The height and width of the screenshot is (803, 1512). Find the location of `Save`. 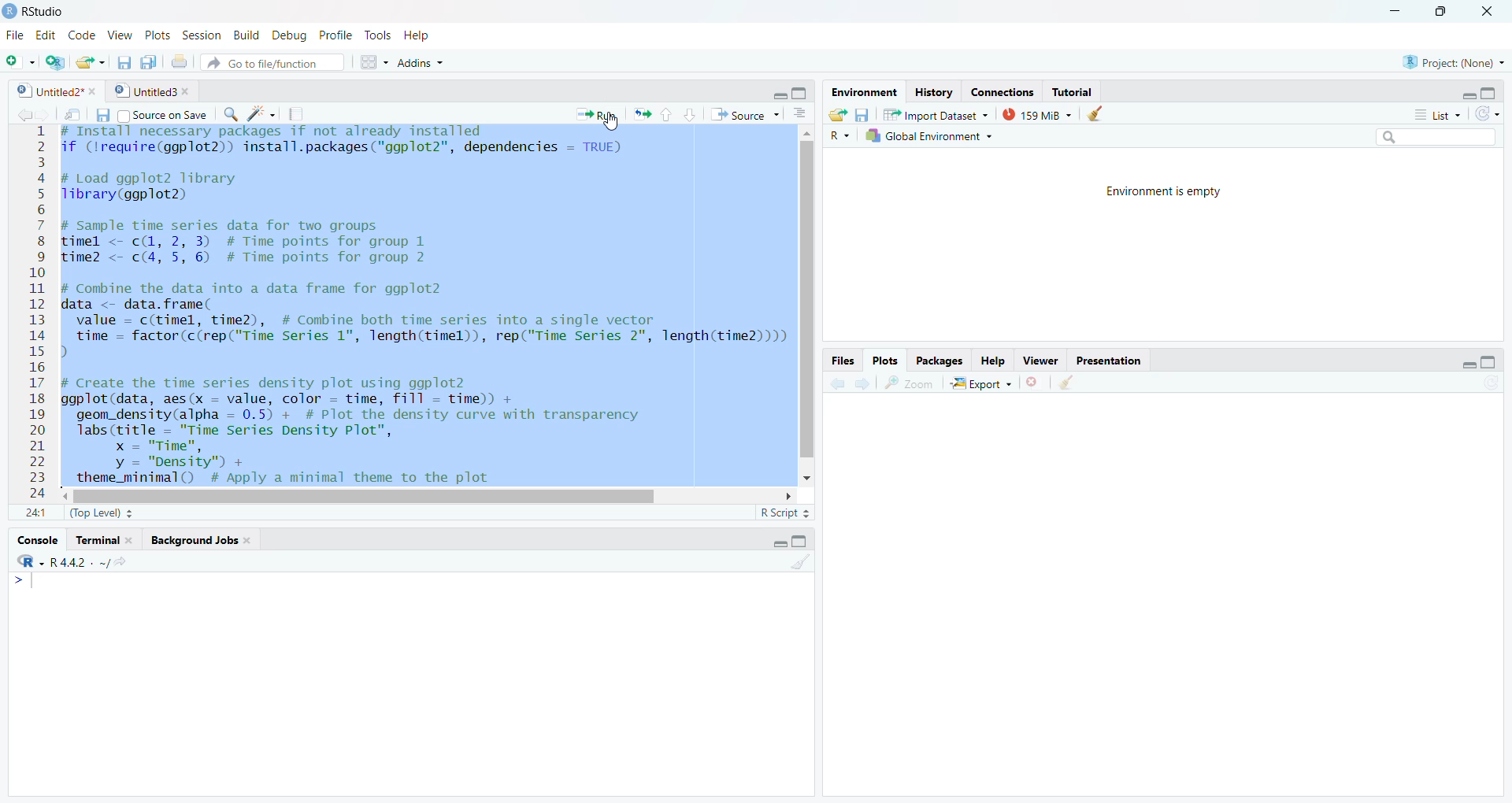

Save is located at coordinates (861, 115).